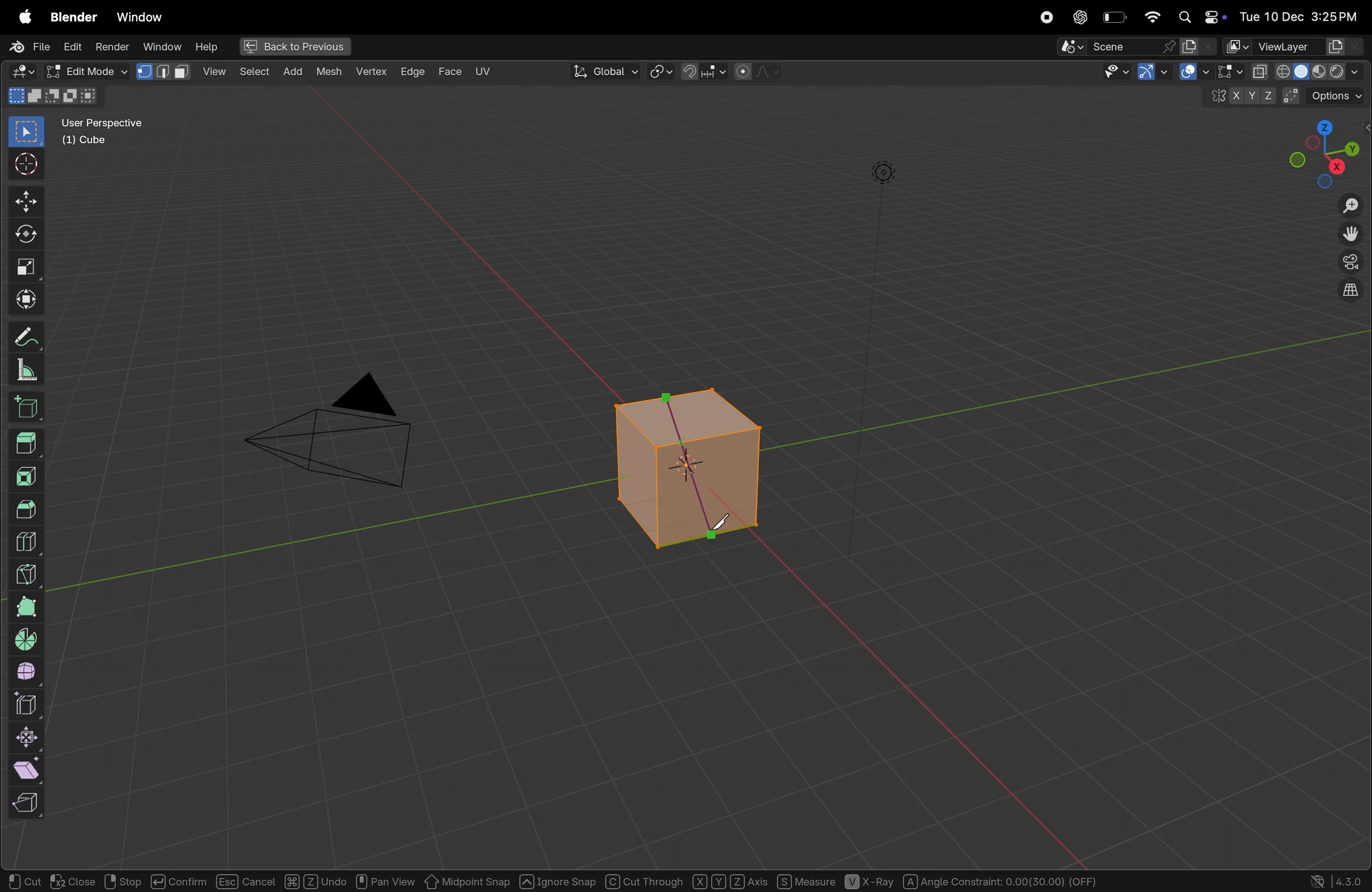 This screenshot has height=892, width=1372. What do you see at coordinates (252, 73) in the screenshot?
I see `add` at bounding box center [252, 73].